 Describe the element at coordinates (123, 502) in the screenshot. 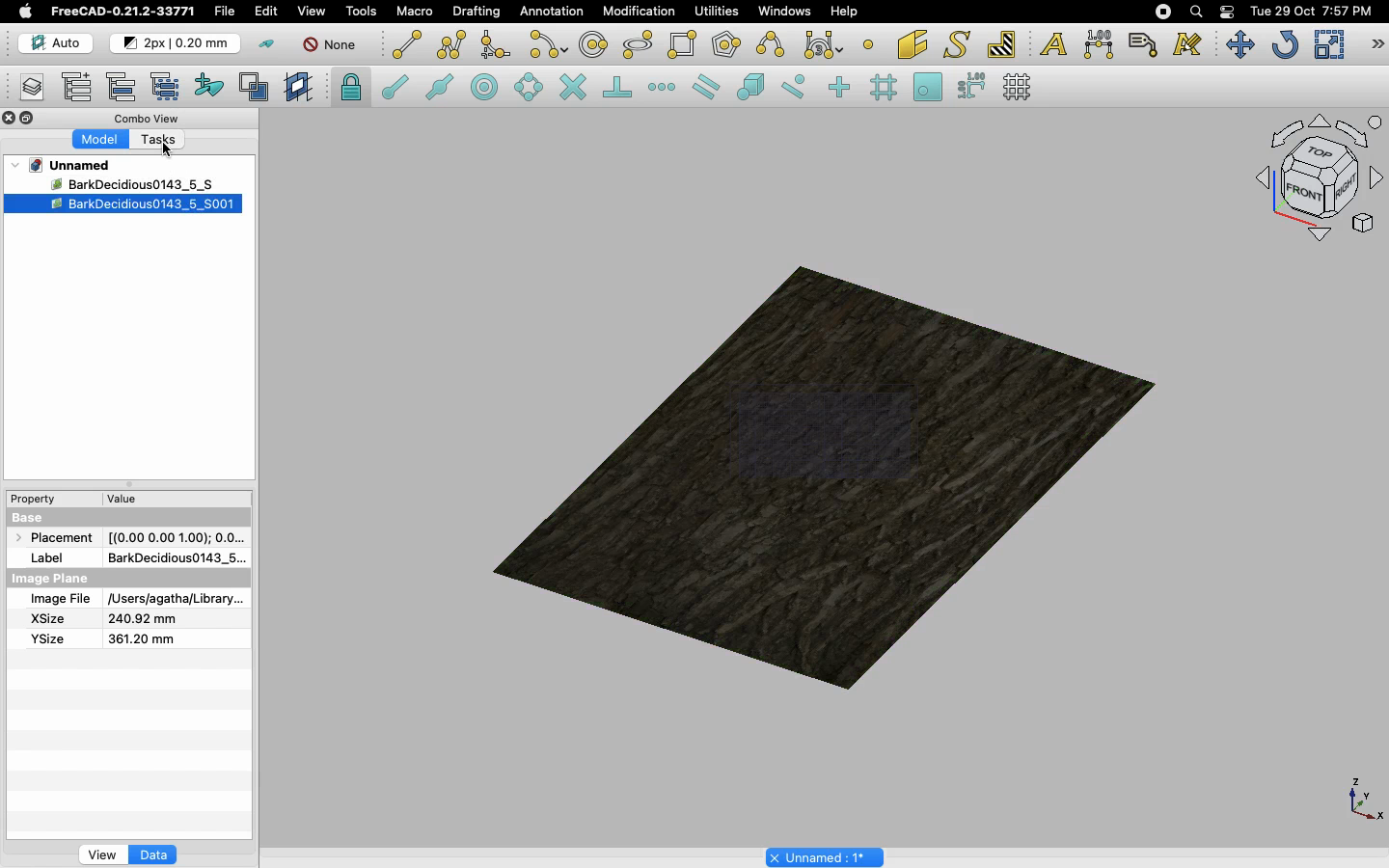

I see `Value` at that location.